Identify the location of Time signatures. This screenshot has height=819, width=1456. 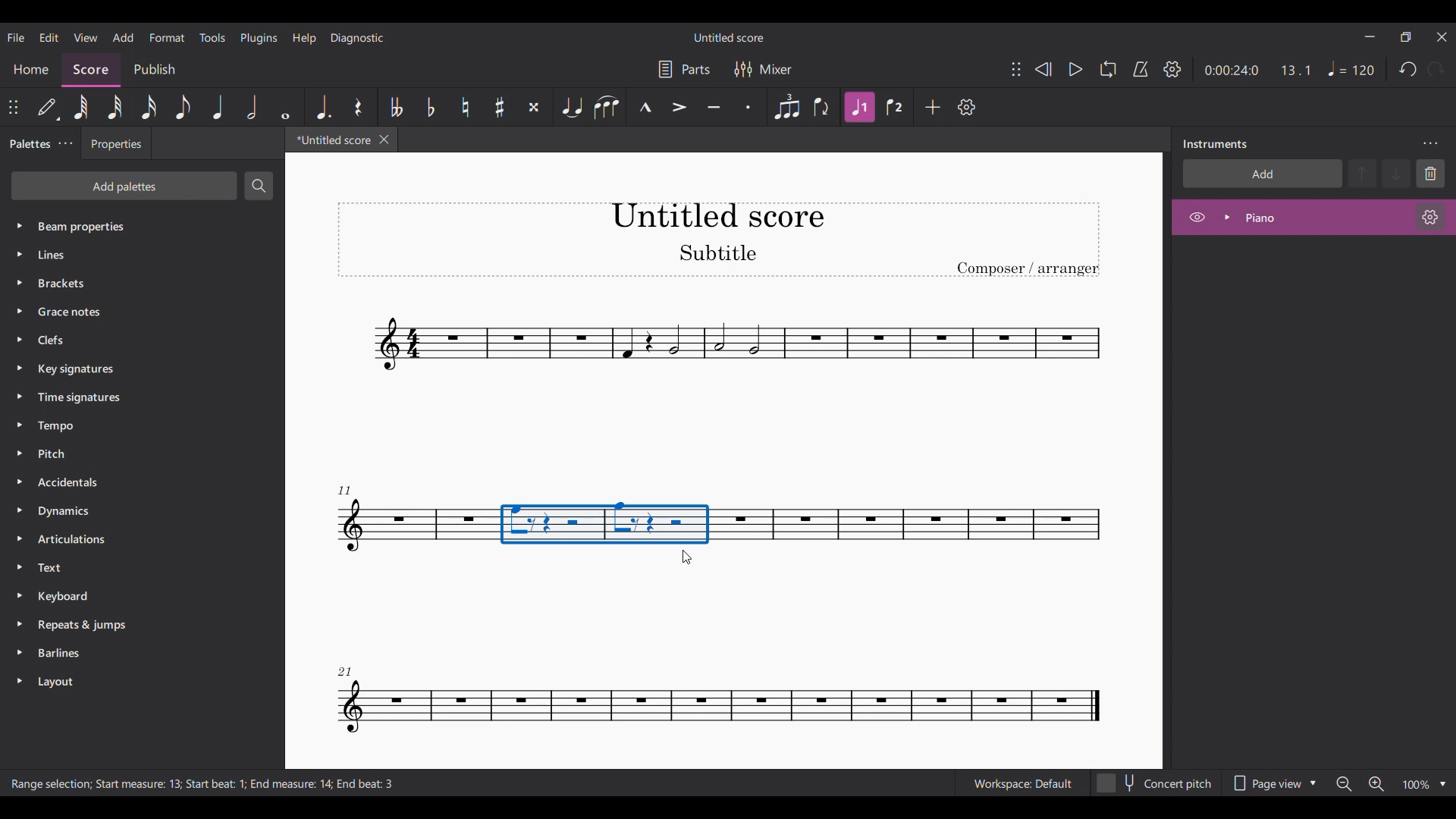
(136, 397).